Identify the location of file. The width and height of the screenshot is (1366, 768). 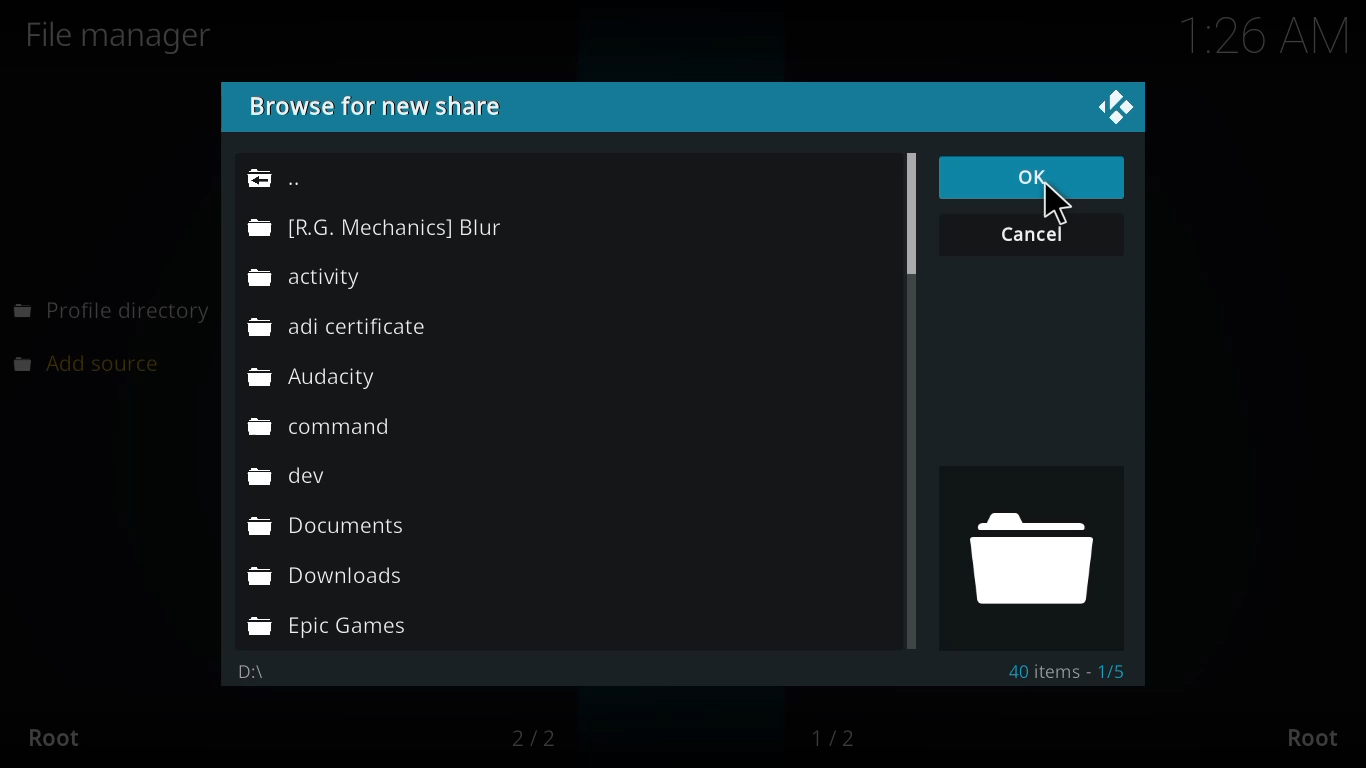
(376, 229).